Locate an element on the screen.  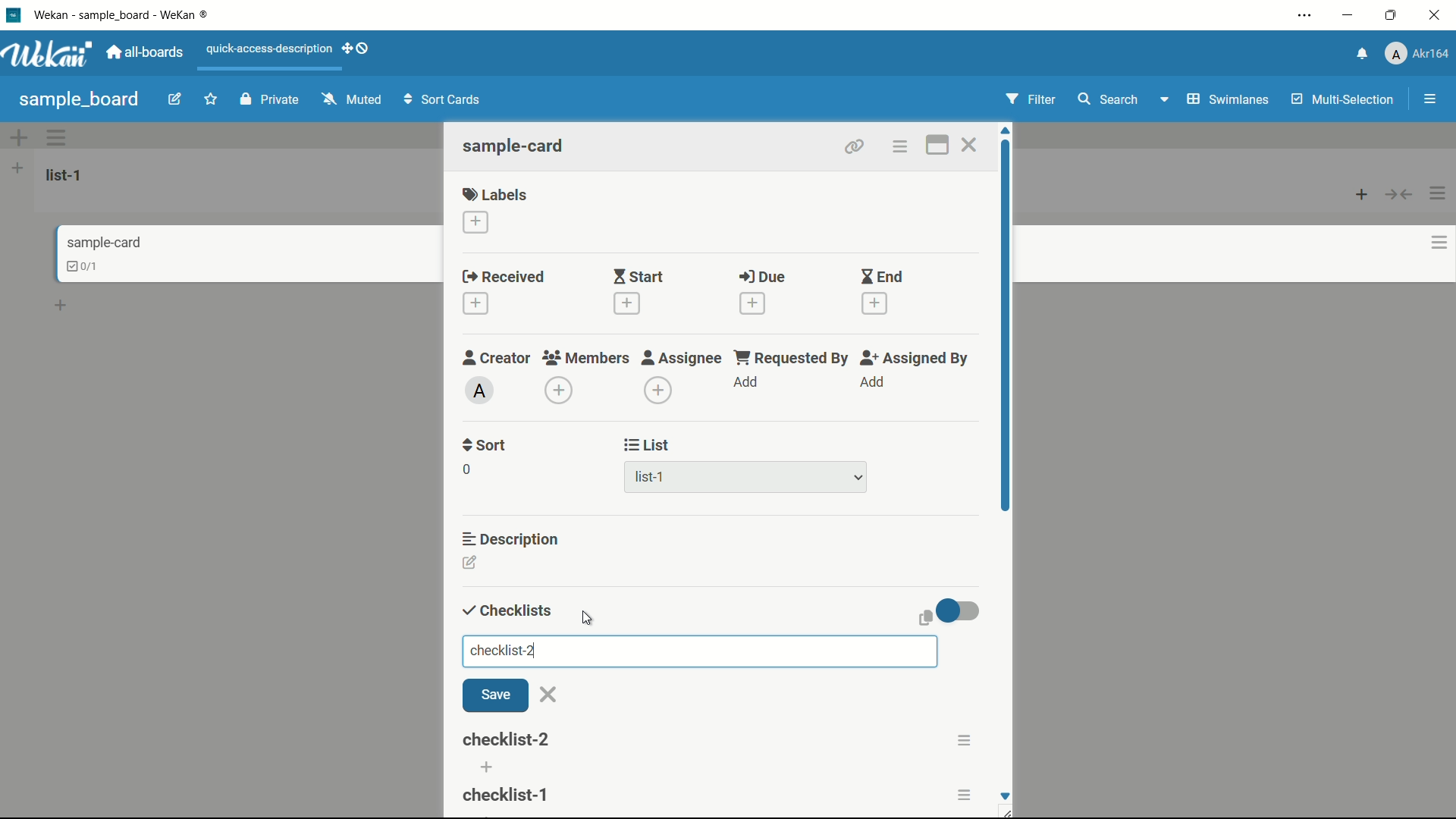
swimlanes is located at coordinates (1226, 99).